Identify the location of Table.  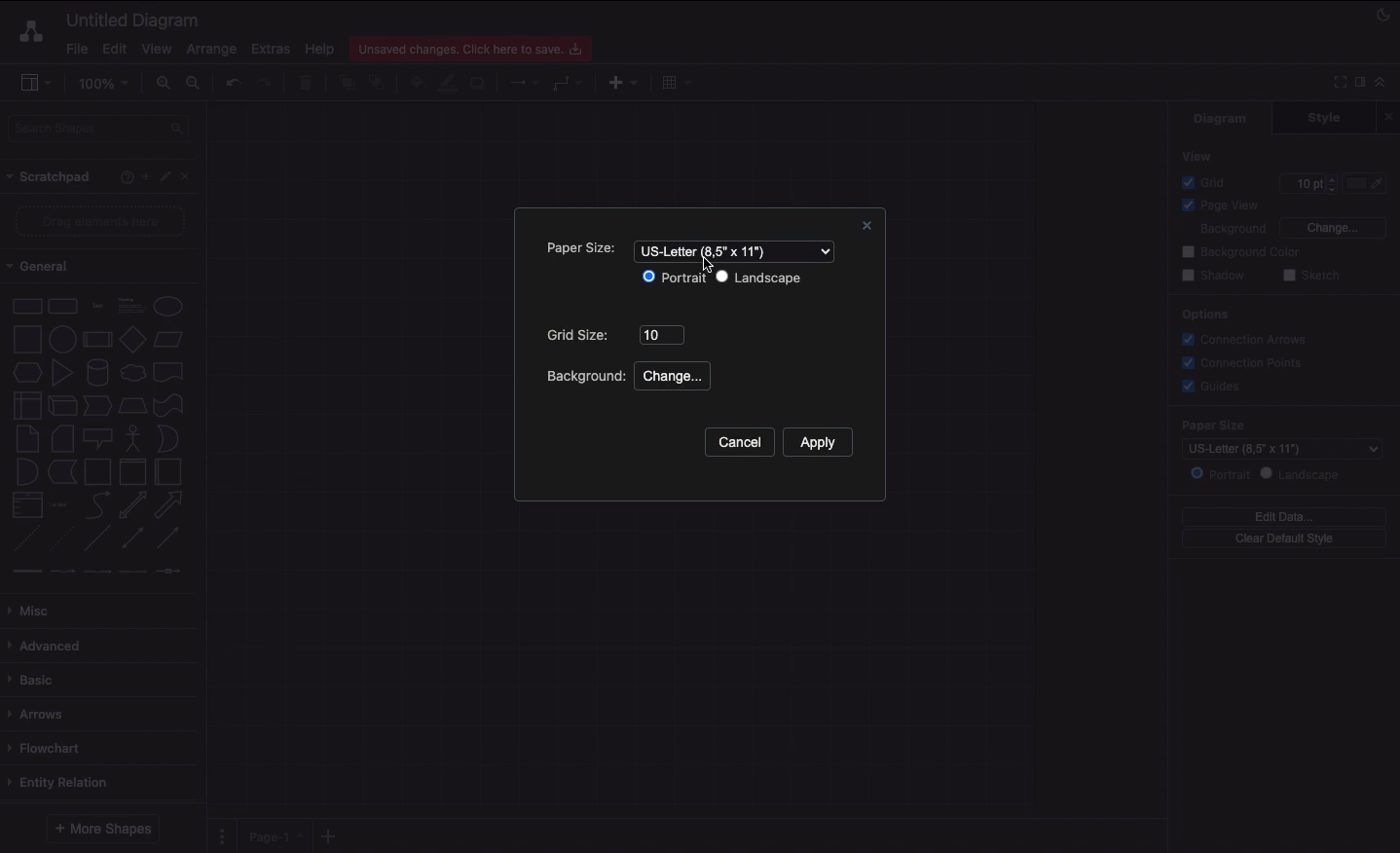
(674, 81).